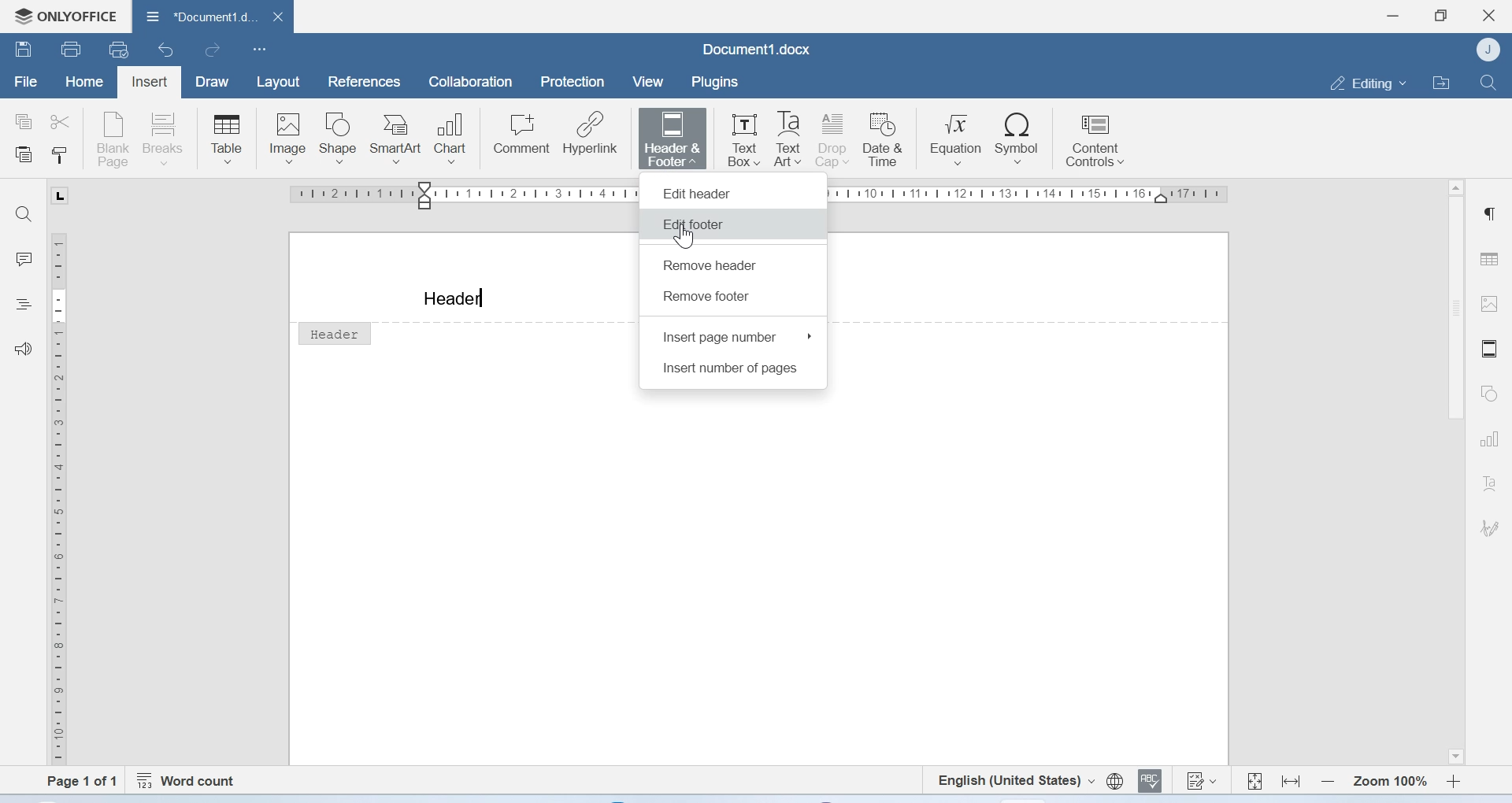 This screenshot has width=1512, height=803. What do you see at coordinates (168, 138) in the screenshot?
I see `Breaks` at bounding box center [168, 138].